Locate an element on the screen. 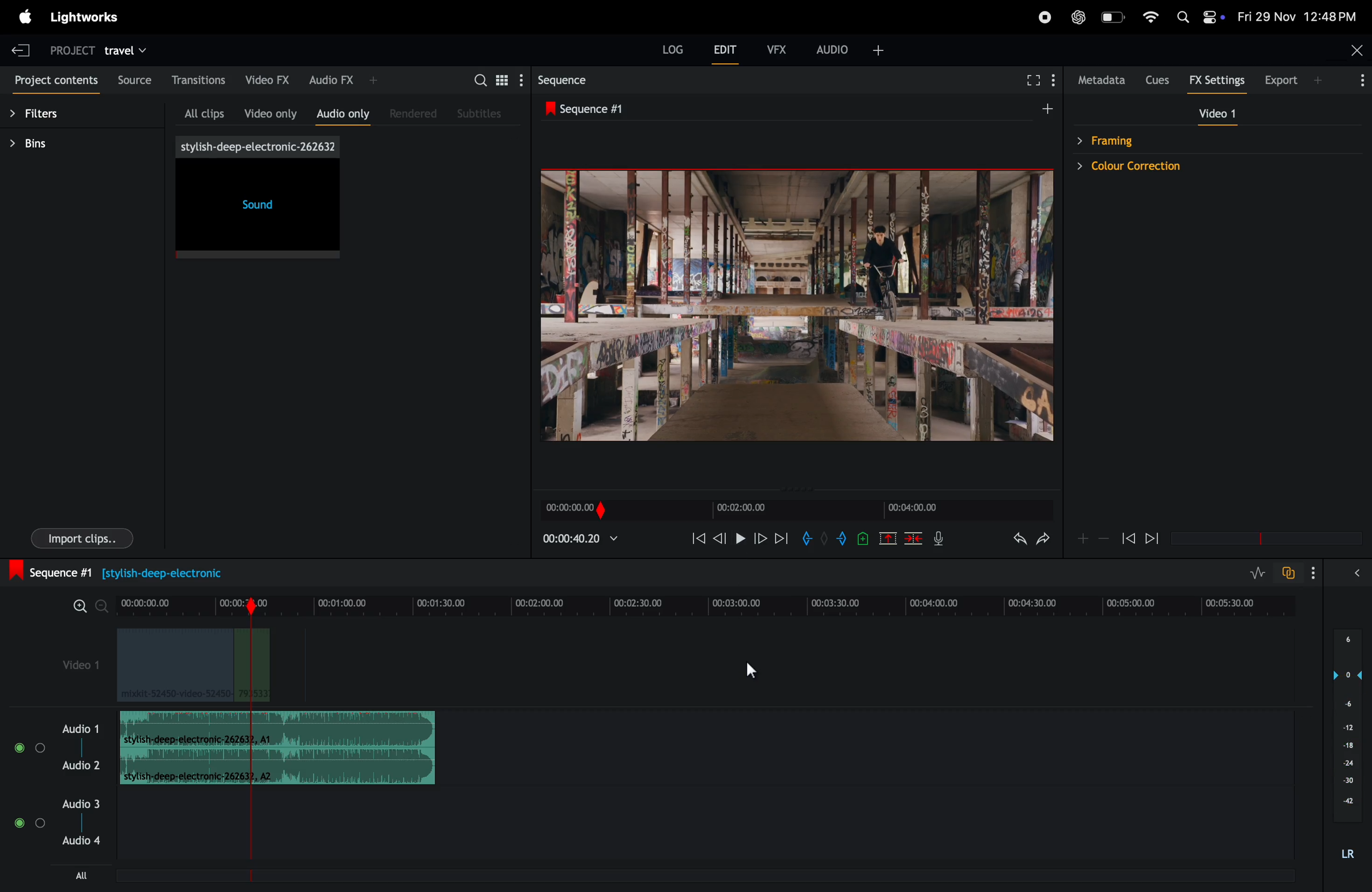  show menu is located at coordinates (1055, 83).